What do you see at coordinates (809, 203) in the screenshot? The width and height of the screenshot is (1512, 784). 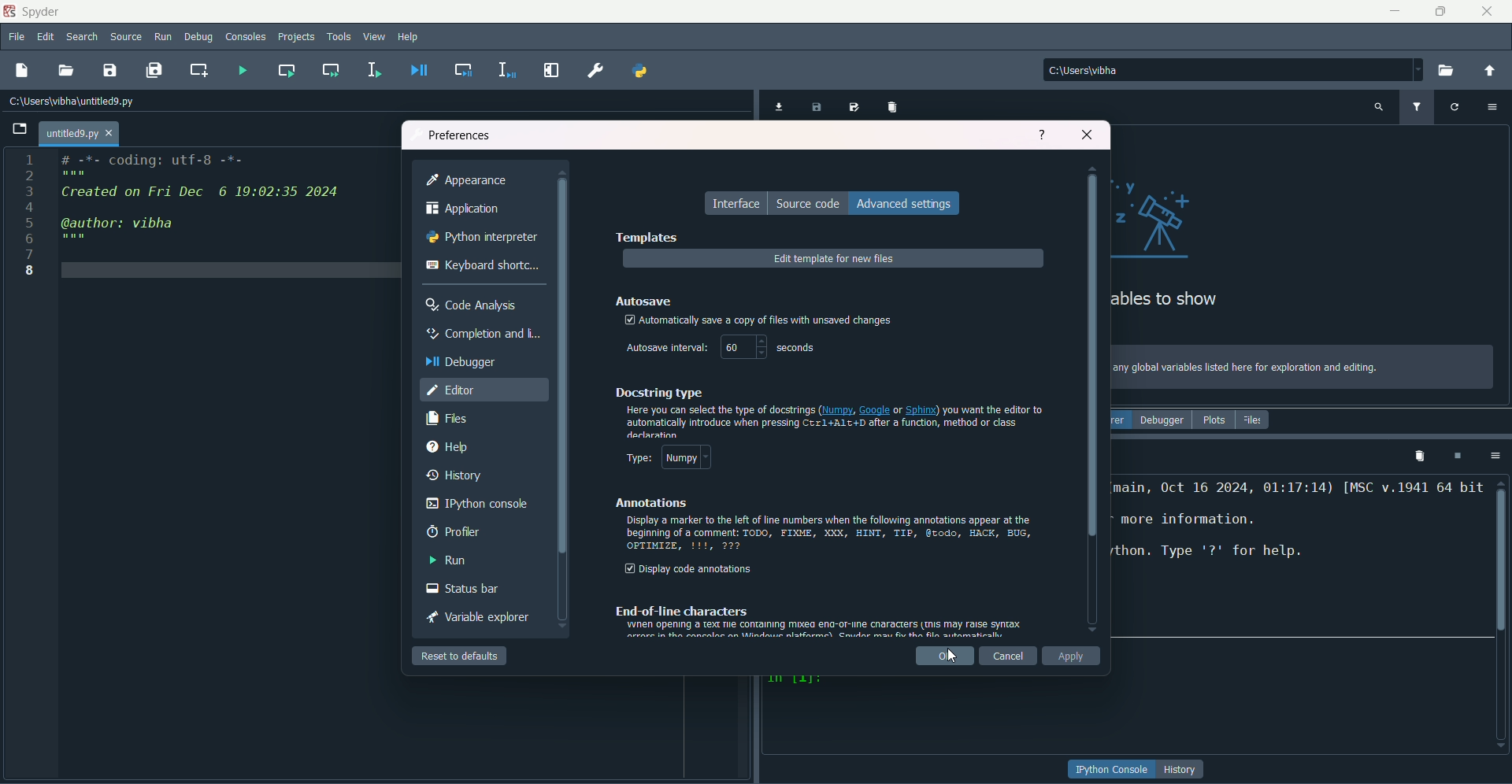 I see `source code` at bounding box center [809, 203].